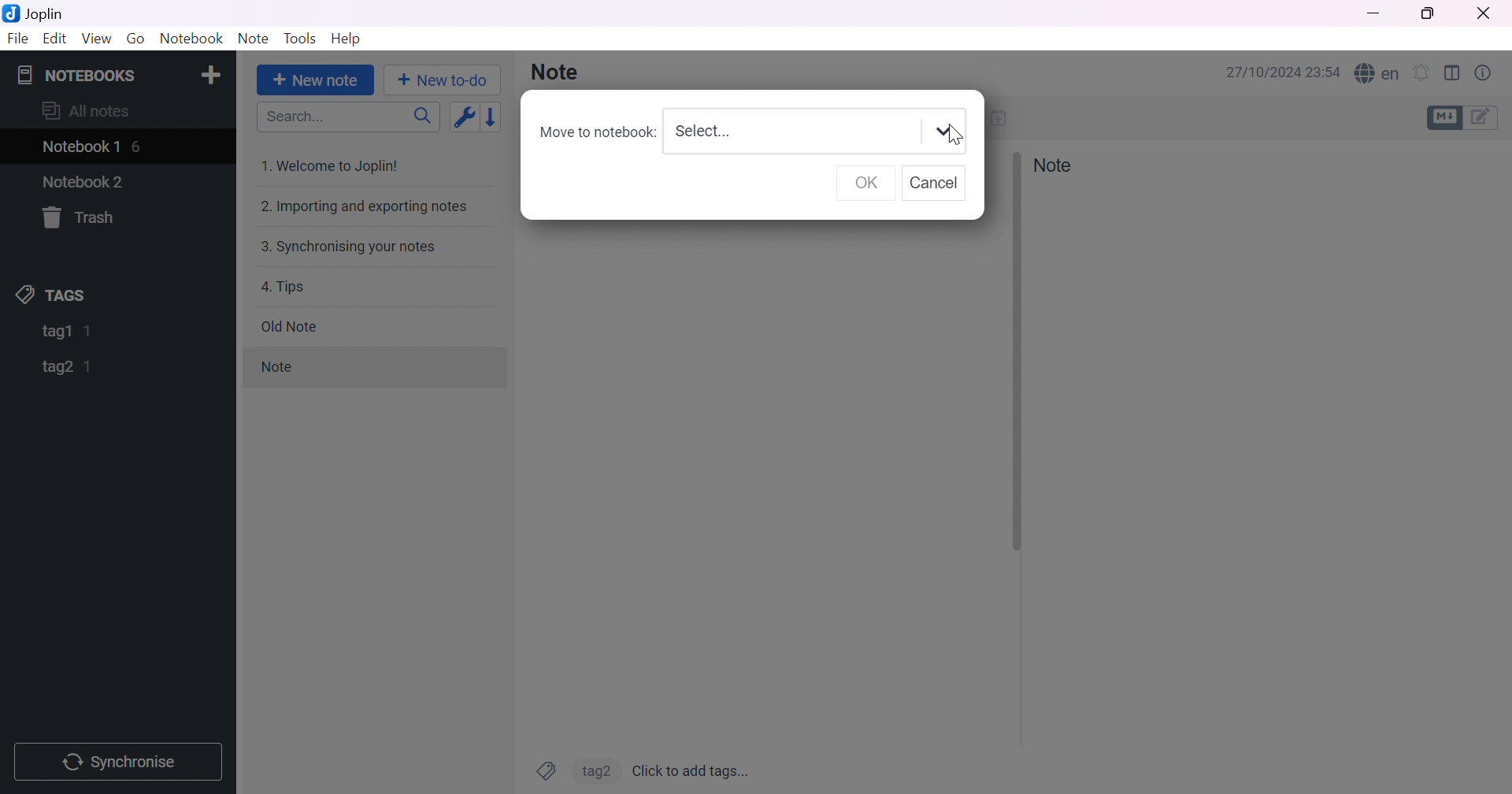  I want to click on Set alarm, so click(1421, 72).